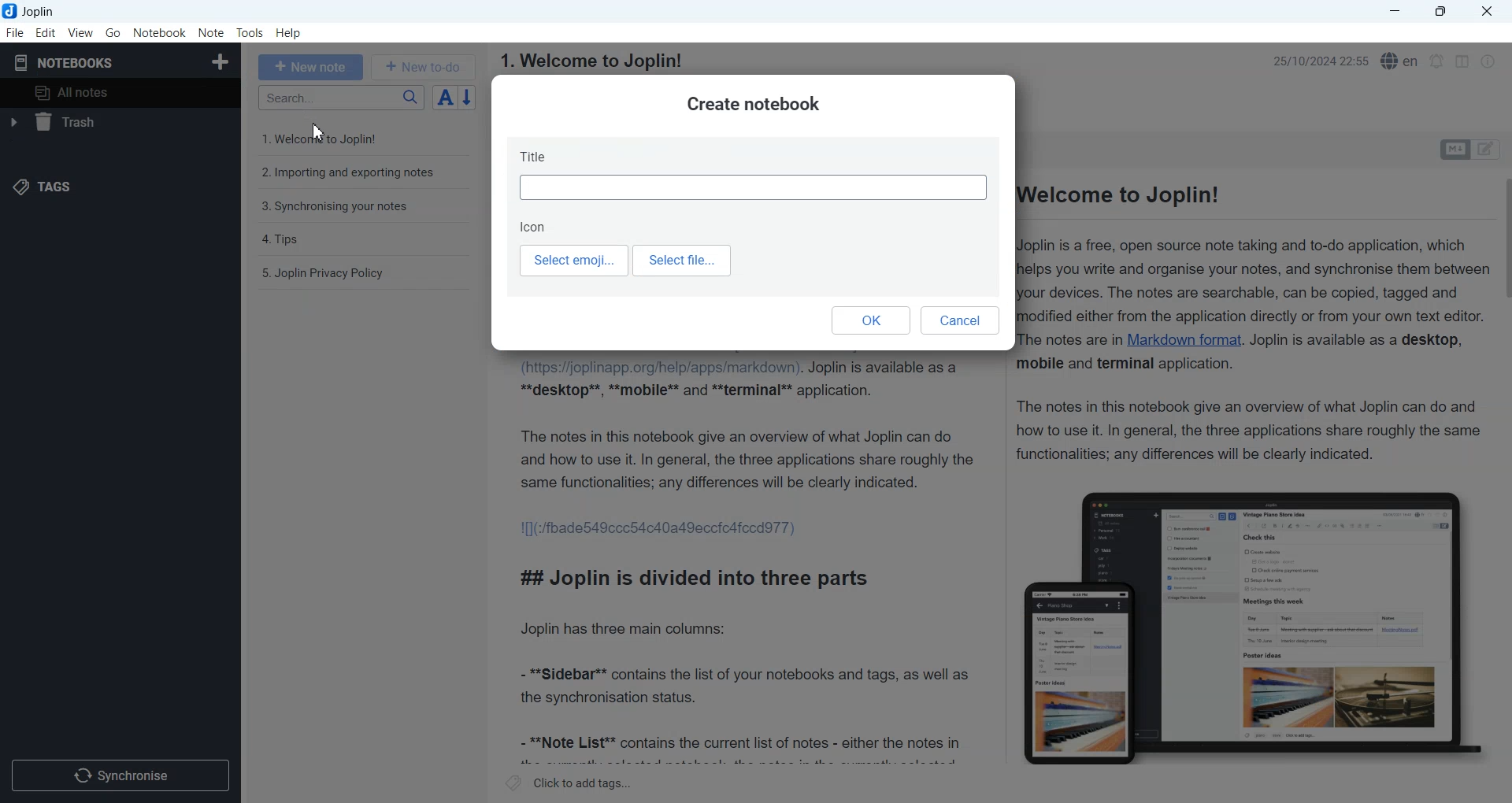 The height and width of the screenshot is (803, 1512). What do you see at coordinates (1443, 12) in the screenshot?
I see `Maximize` at bounding box center [1443, 12].